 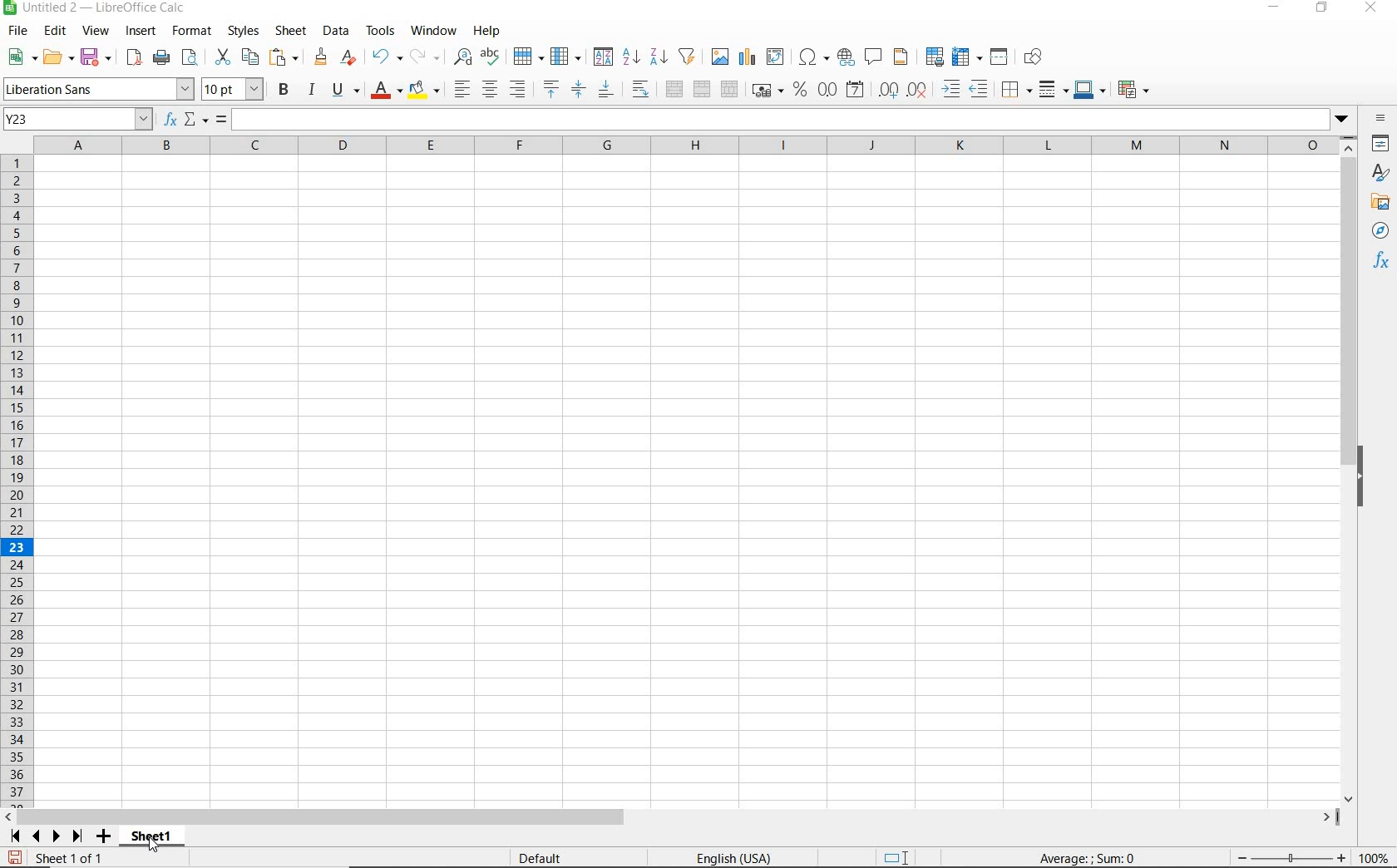 What do you see at coordinates (141, 32) in the screenshot?
I see `INSERT` at bounding box center [141, 32].